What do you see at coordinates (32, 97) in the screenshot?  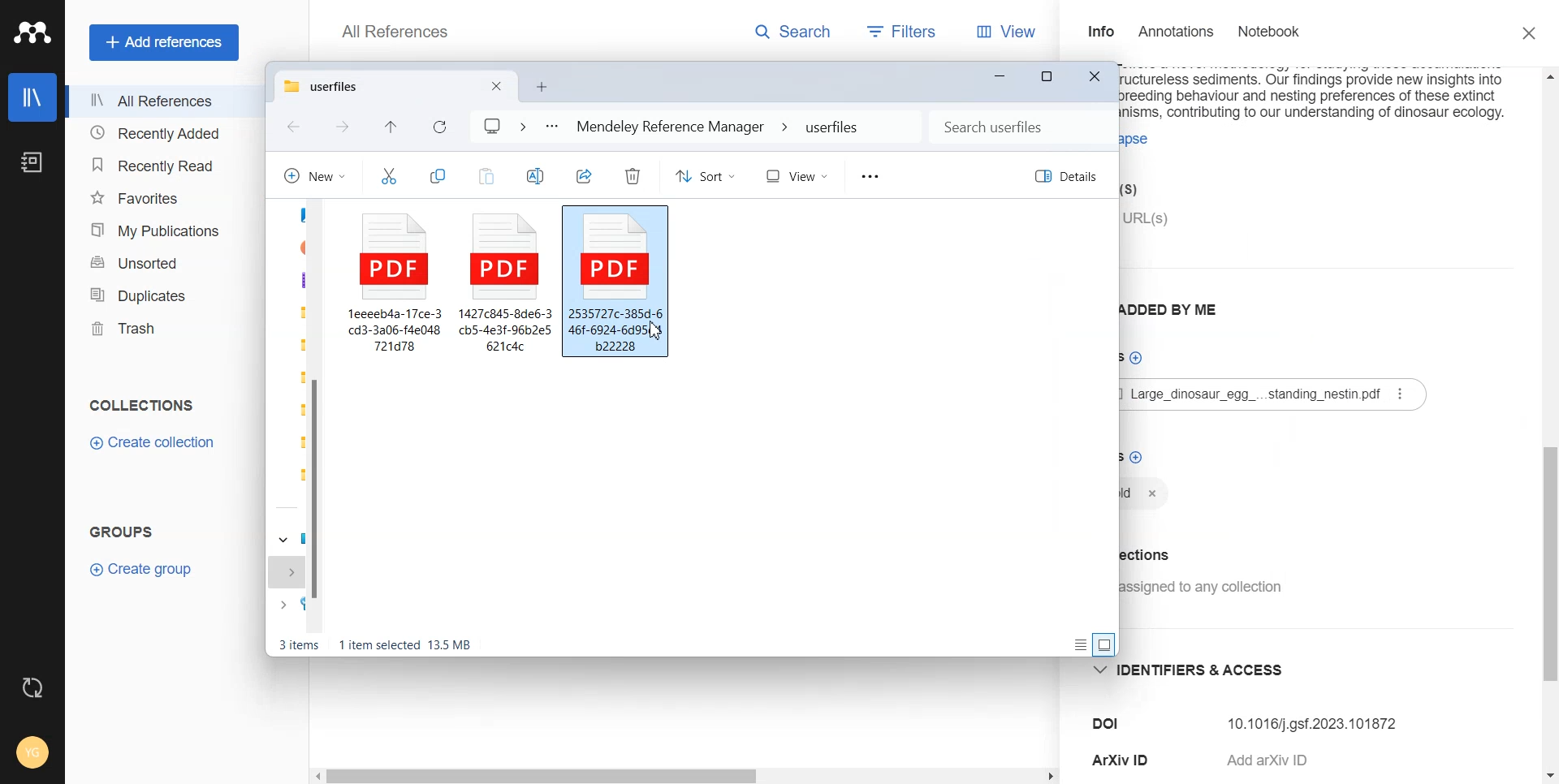 I see `Library` at bounding box center [32, 97].